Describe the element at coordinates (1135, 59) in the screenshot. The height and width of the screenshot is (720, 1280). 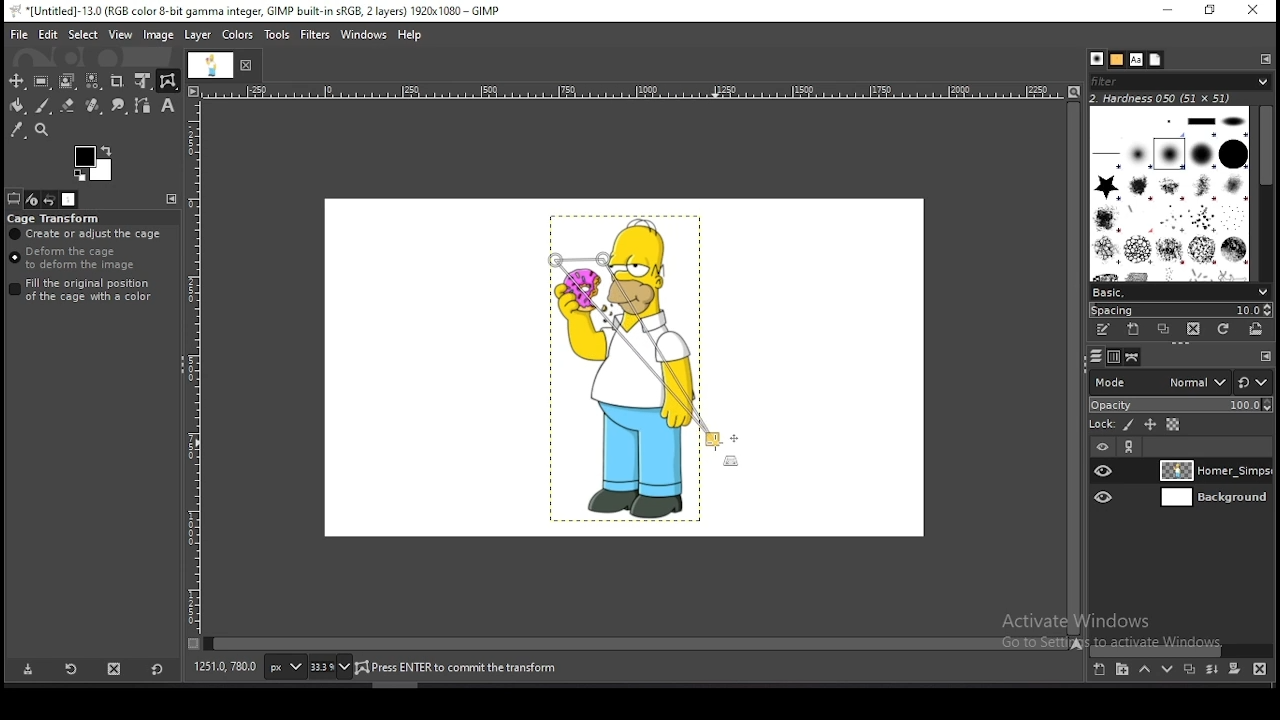
I see `fonts` at that location.